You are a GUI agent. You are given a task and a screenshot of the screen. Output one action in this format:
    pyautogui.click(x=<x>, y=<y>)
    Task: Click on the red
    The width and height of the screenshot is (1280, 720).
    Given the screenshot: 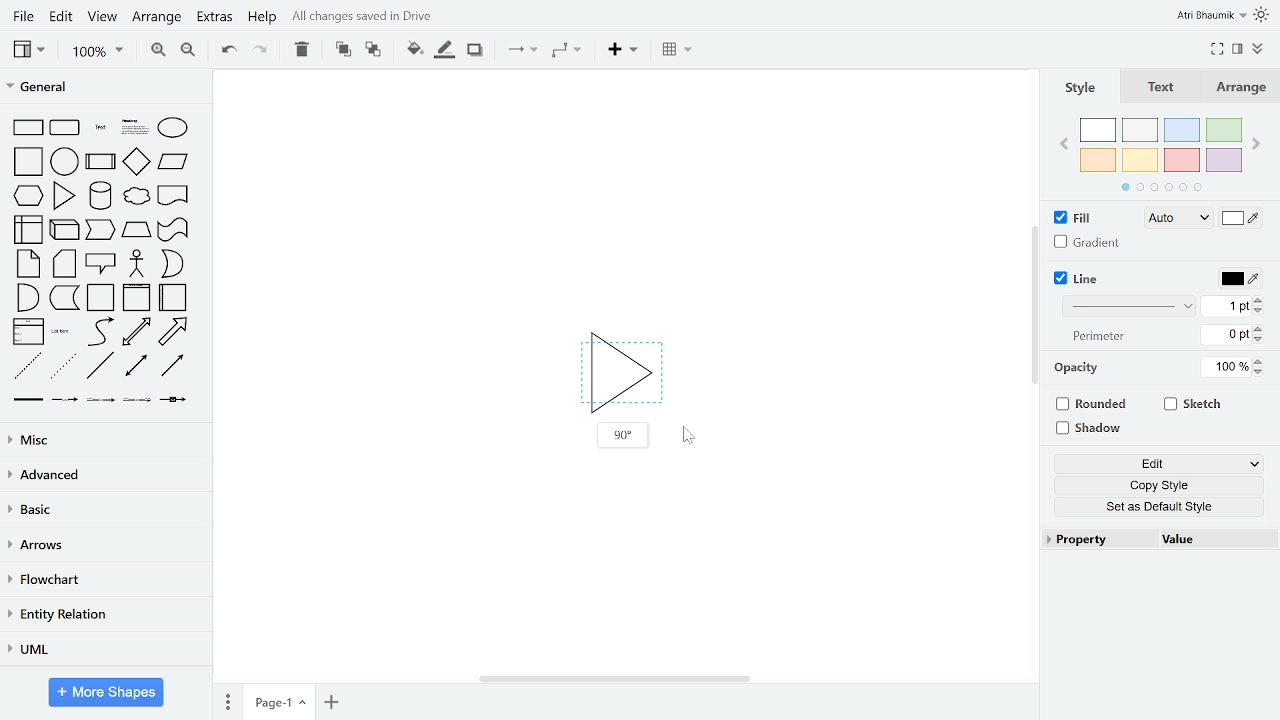 What is the action you would take?
    pyautogui.click(x=1181, y=161)
    